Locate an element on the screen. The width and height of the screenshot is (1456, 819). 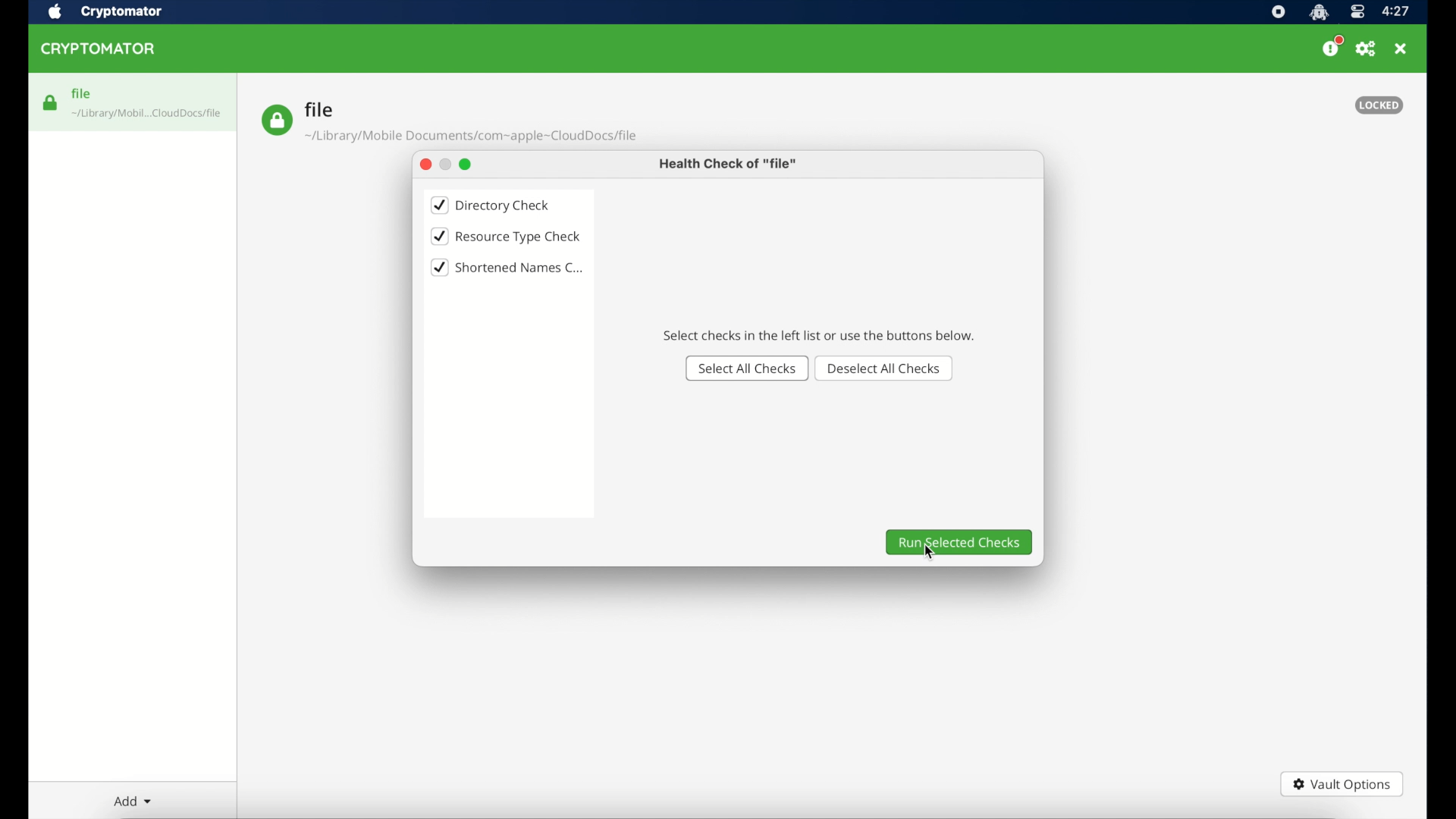
Select checks in the left list or use the buttons below. is located at coordinates (817, 335).